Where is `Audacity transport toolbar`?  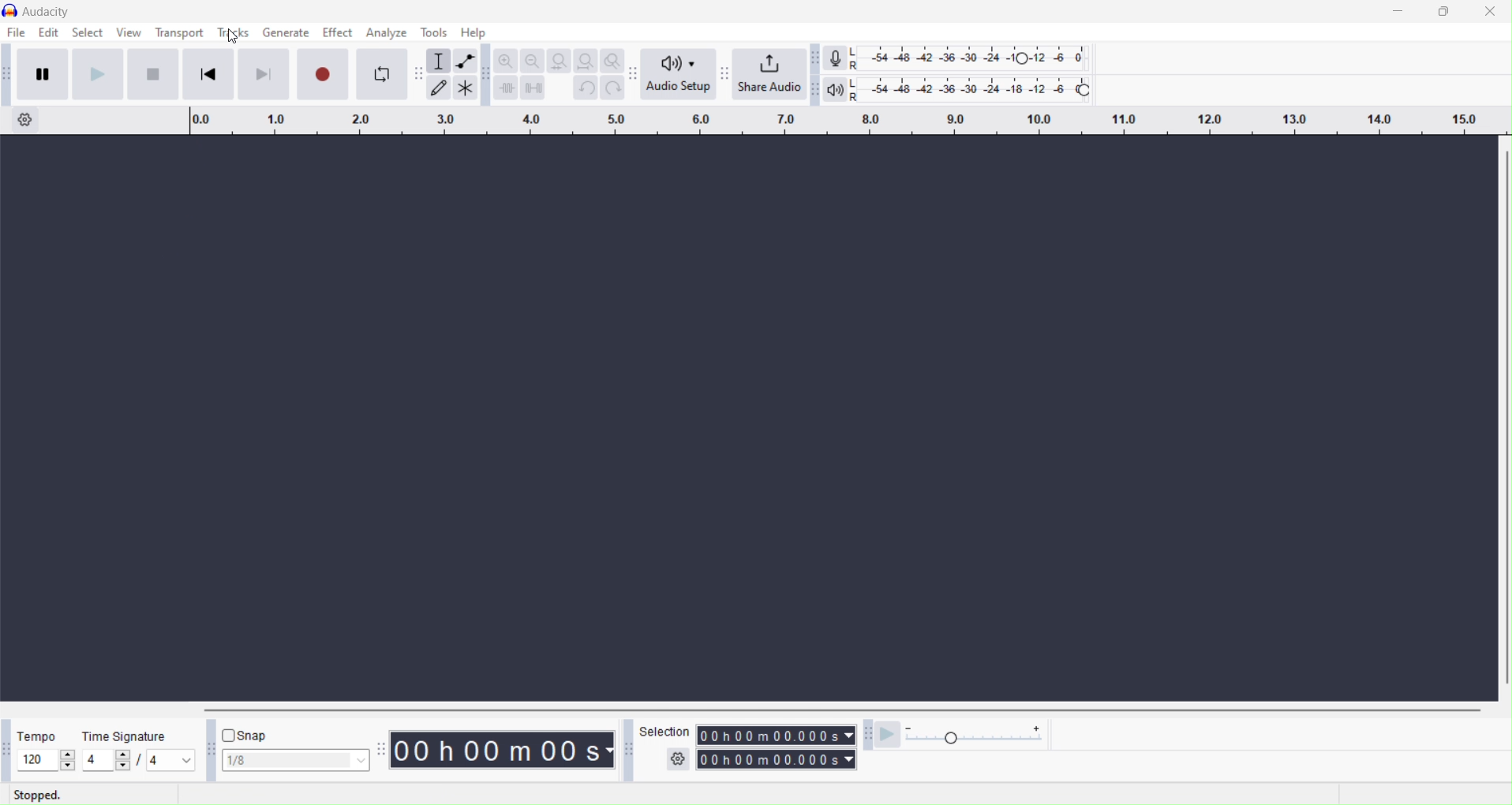
Audacity transport toolbar is located at coordinates (9, 73).